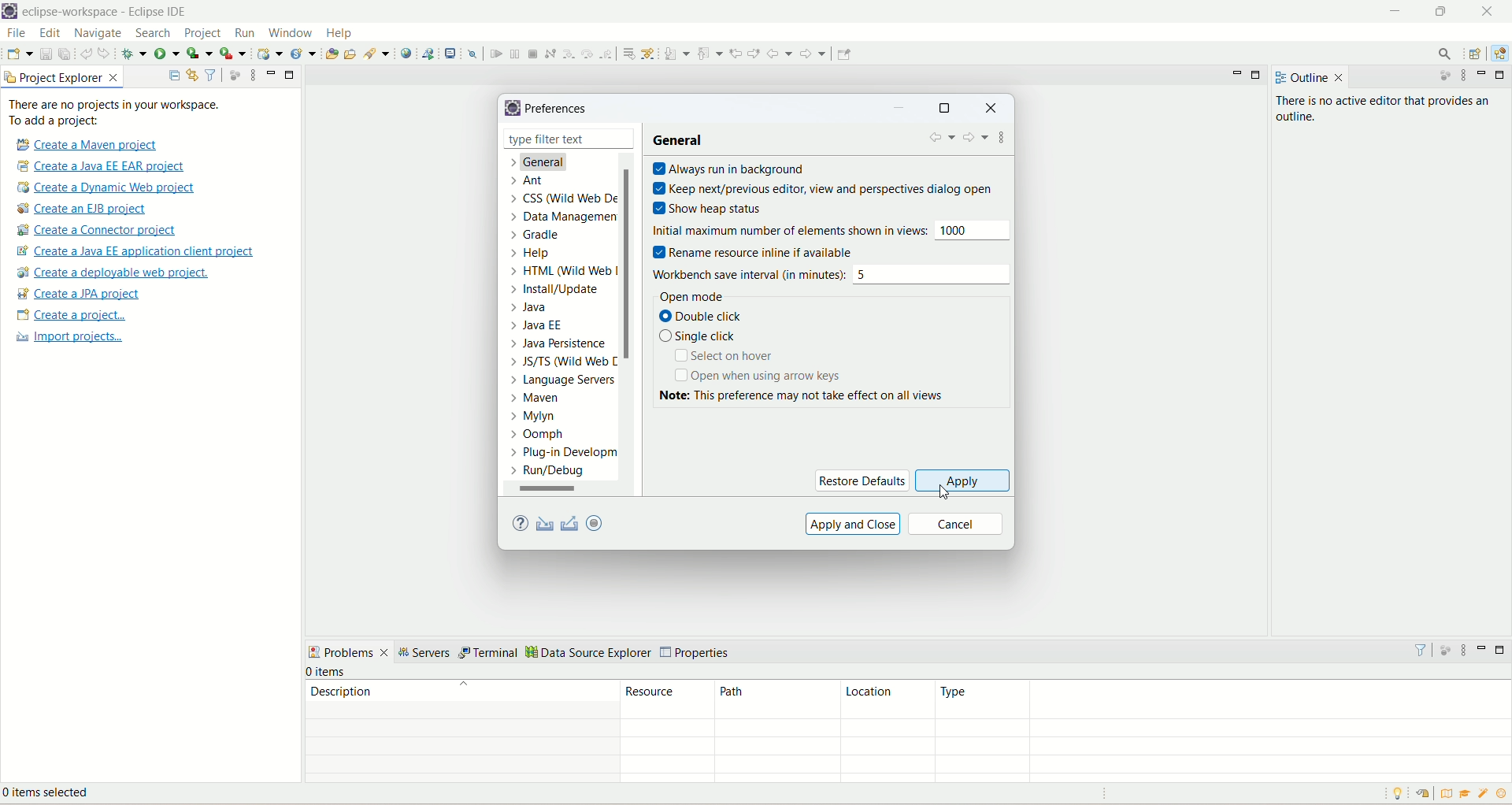 The height and width of the screenshot is (805, 1512). What do you see at coordinates (452, 52) in the screenshot?
I see `open a terminal` at bounding box center [452, 52].